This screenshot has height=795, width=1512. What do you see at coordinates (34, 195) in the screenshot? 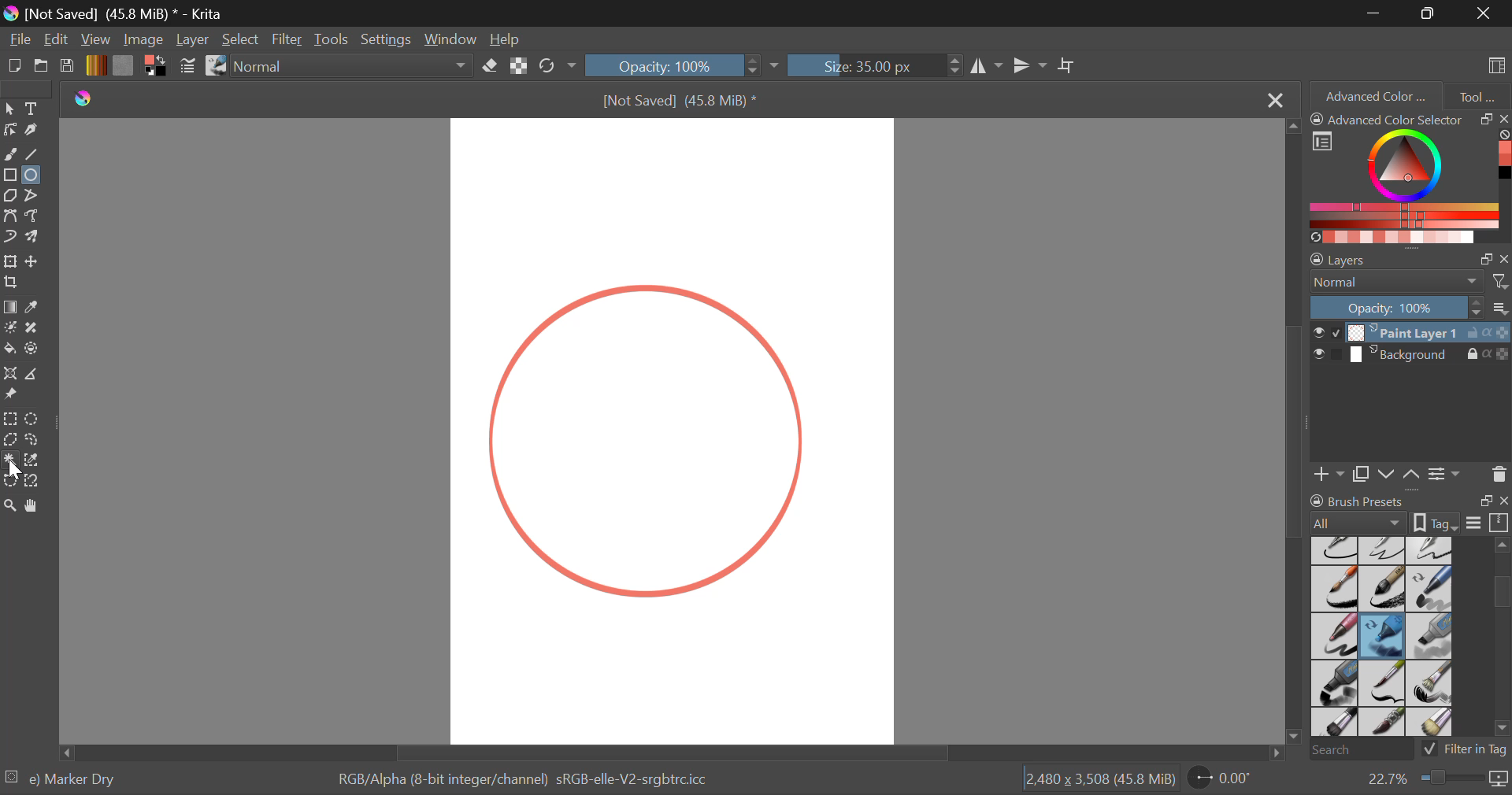
I see `Polyline Tool` at bounding box center [34, 195].